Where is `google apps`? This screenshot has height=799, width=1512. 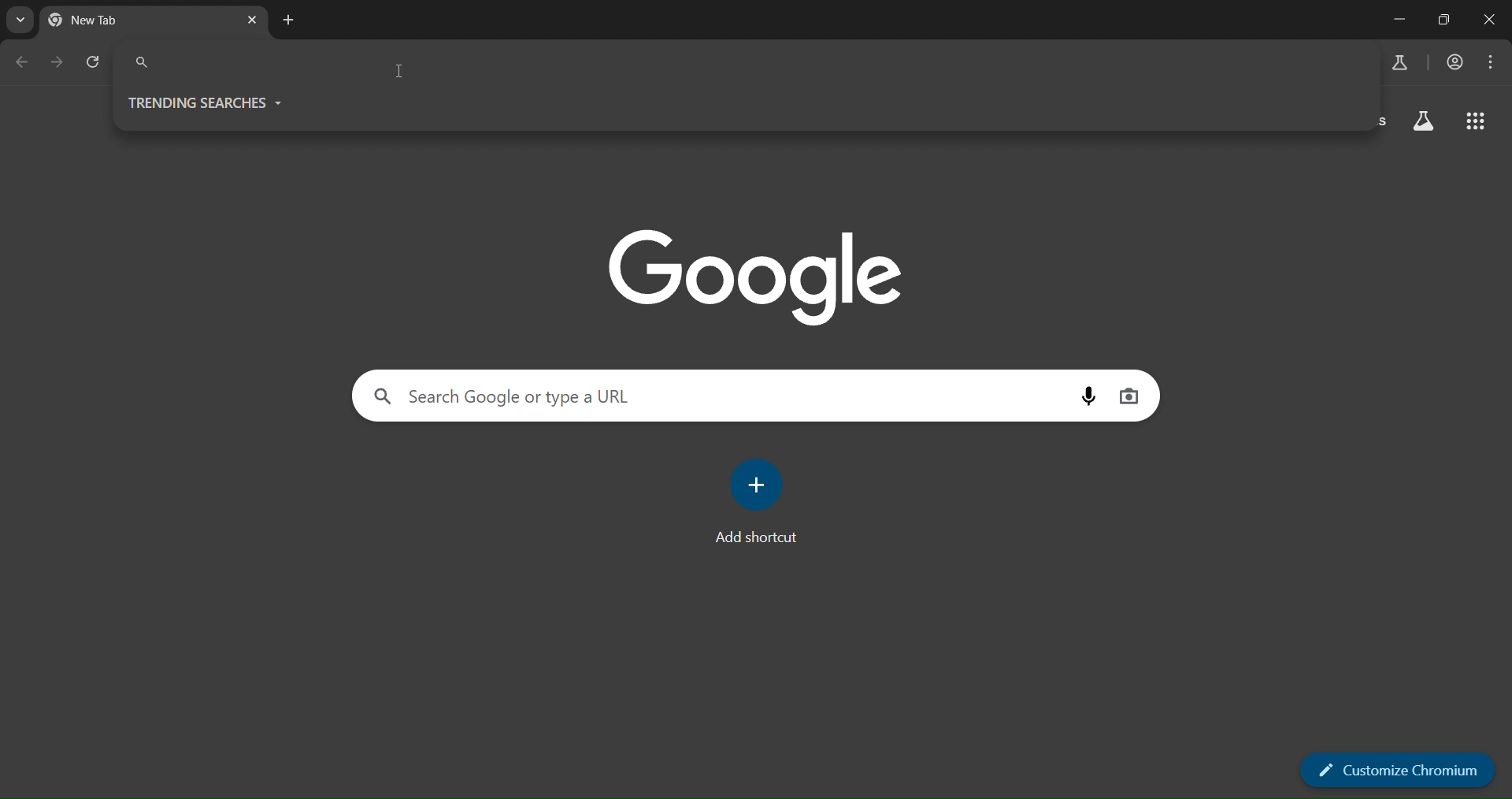
google apps is located at coordinates (1475, 122).